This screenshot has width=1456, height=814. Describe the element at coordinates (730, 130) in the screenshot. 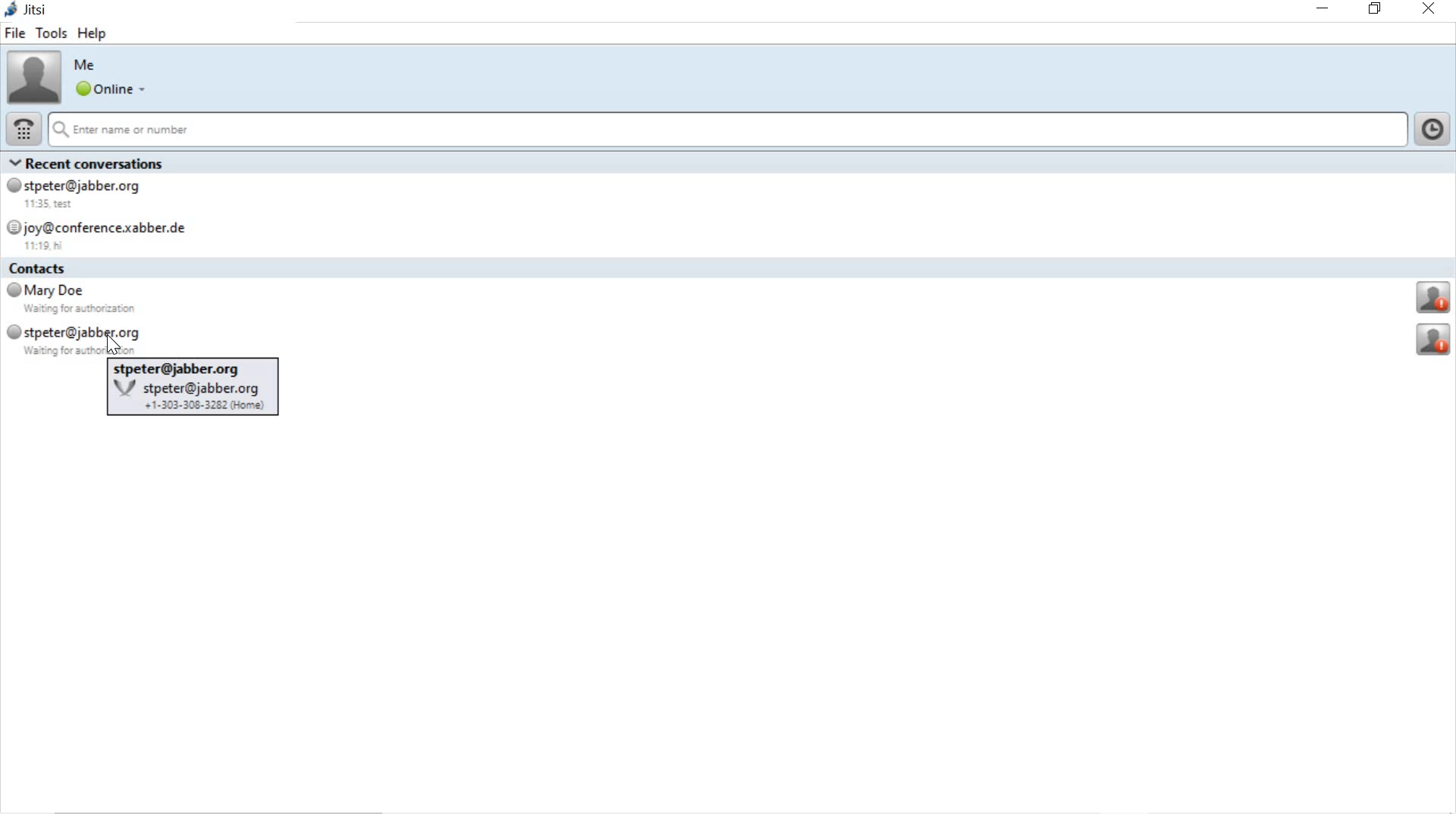

I see `Enter name or number` at that location.